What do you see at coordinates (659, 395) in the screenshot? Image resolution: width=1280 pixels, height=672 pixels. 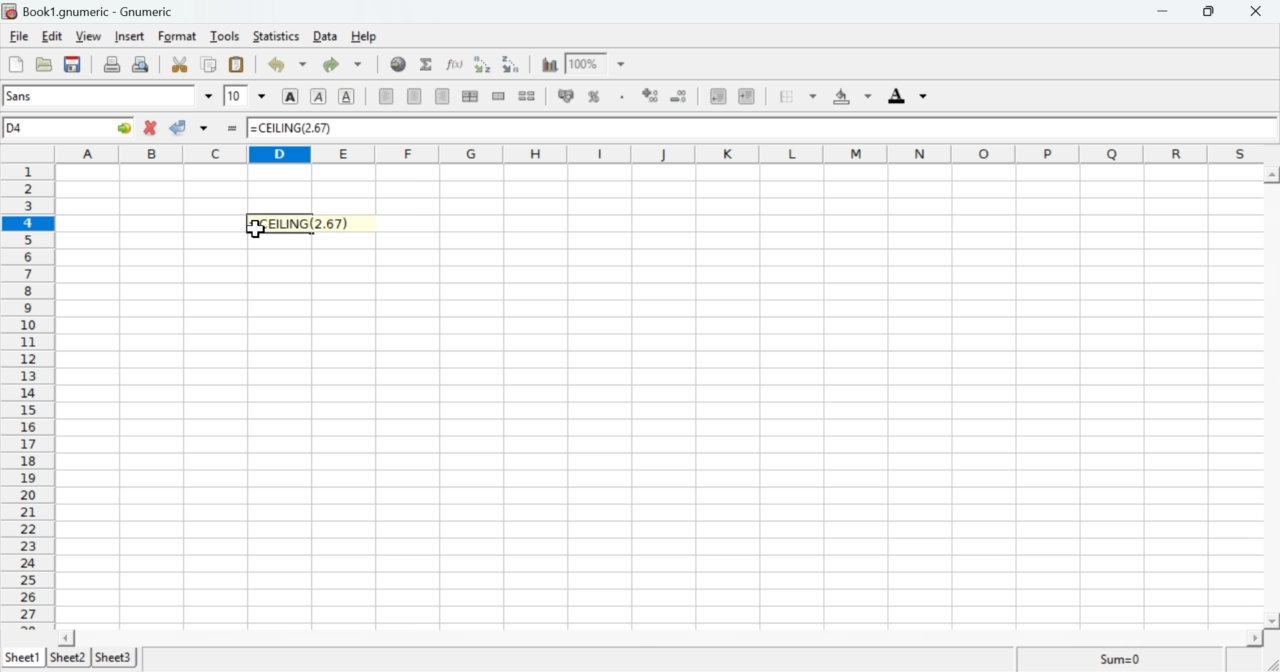 I see `Worksheet` at bounding box center [659, 395].